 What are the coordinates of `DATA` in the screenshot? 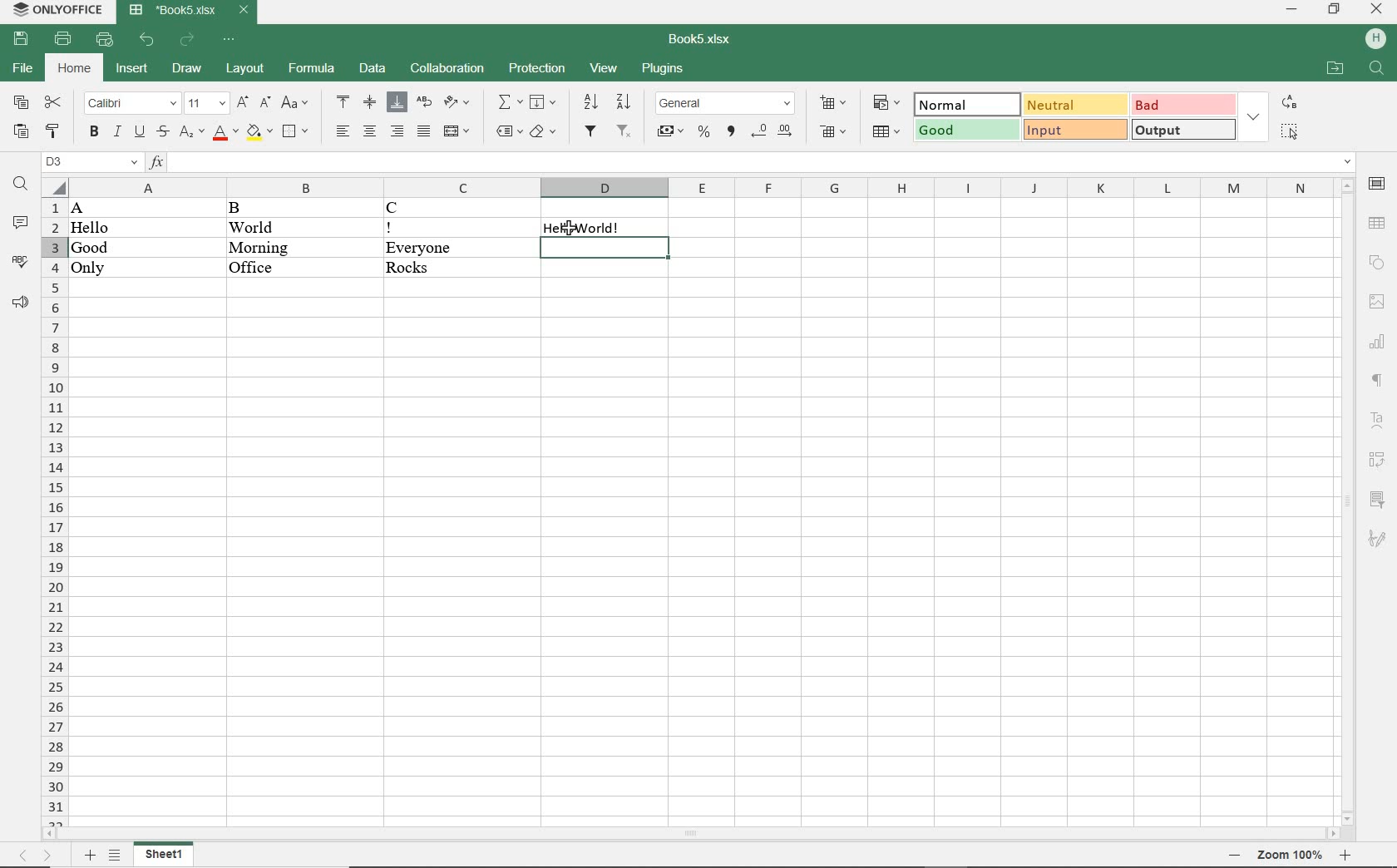 It's located at (370, 69).